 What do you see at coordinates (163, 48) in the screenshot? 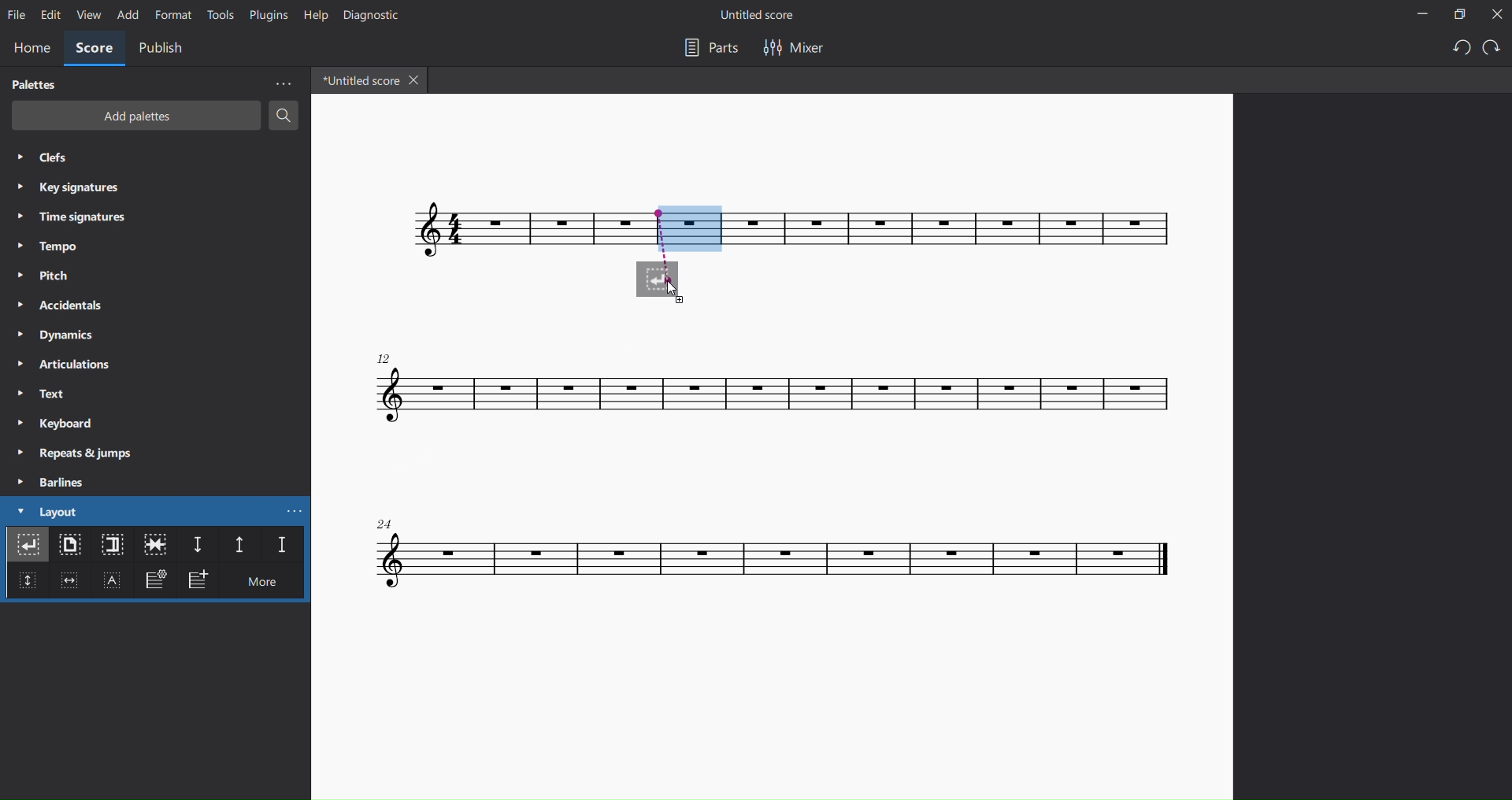
I see `publish` at bounding box center [163, 48].